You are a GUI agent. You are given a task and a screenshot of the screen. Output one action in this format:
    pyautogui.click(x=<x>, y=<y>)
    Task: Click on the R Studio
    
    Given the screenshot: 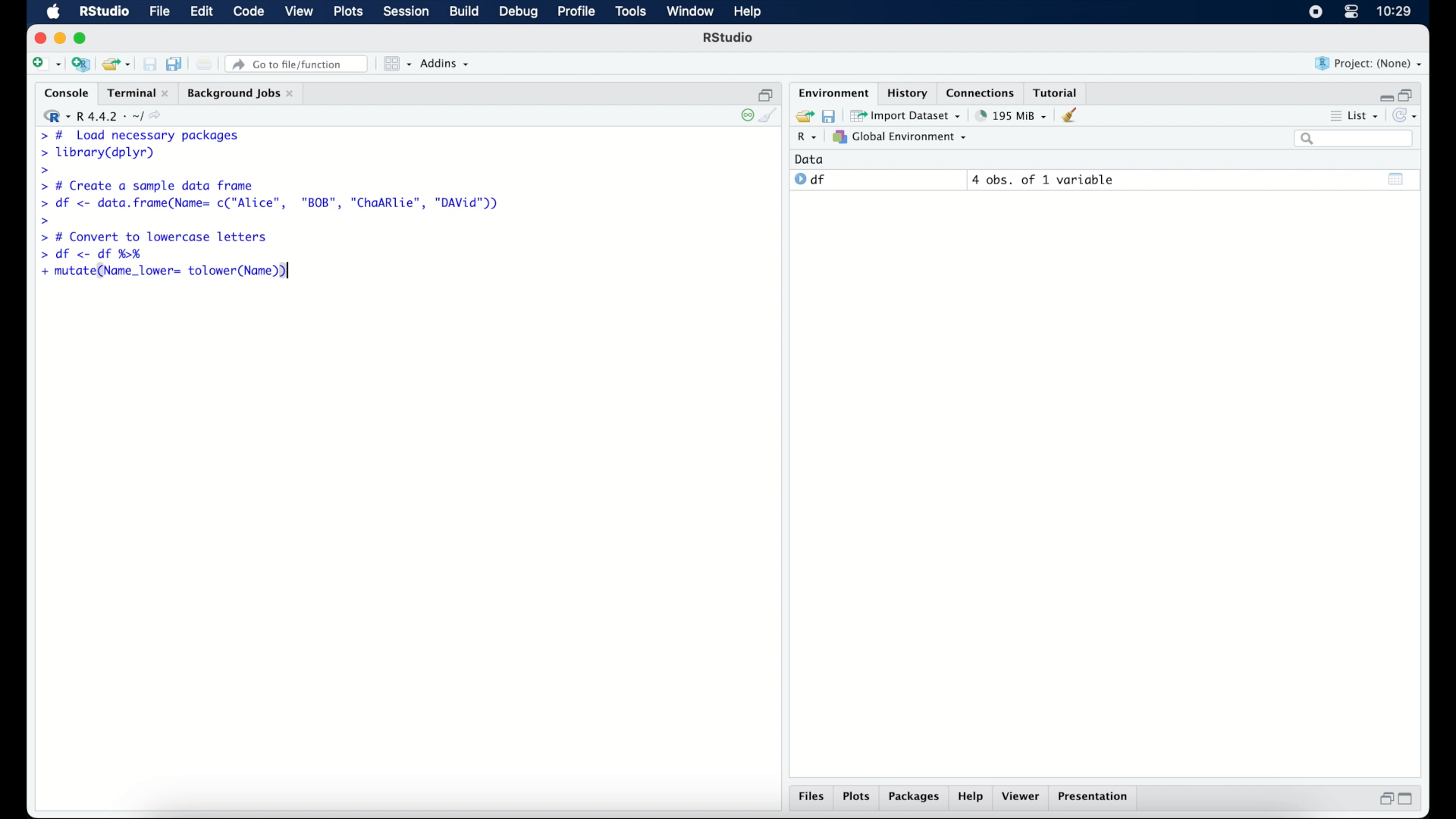 What is the action you would take?
    pyautogui.click(x=104, y=12)
    